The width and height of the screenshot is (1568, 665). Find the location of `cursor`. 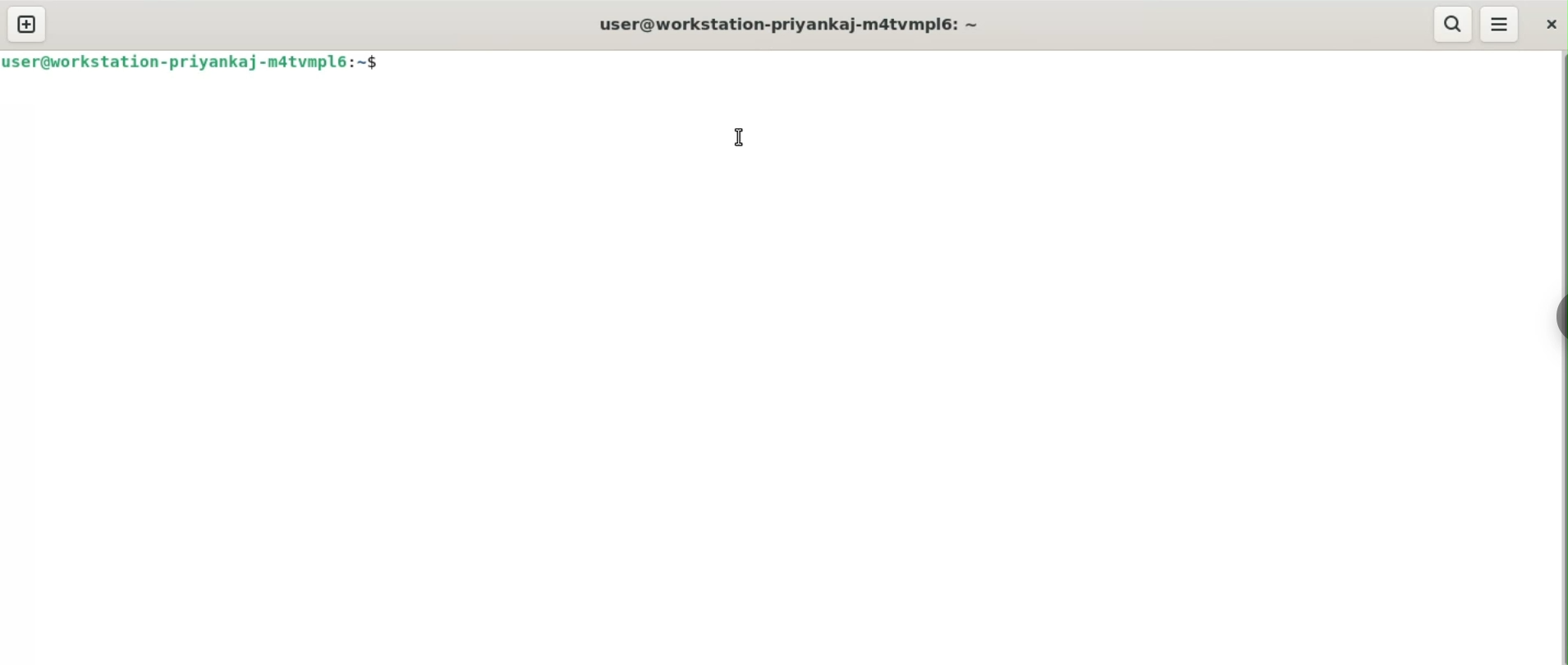

cursor is located at coordinates (740, 137).